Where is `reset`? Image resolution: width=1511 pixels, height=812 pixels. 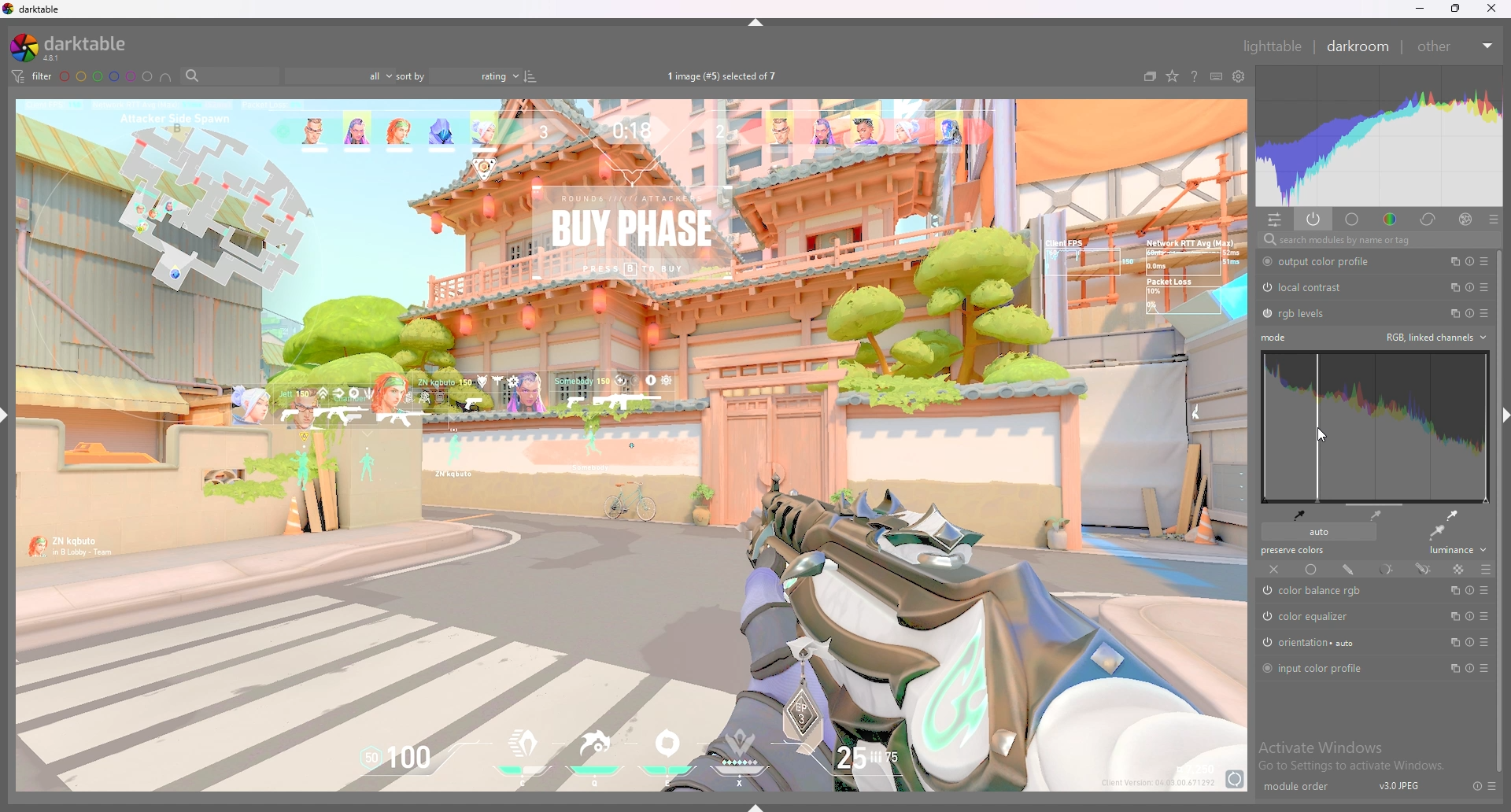
reset is located at coordinates (1469, 261).